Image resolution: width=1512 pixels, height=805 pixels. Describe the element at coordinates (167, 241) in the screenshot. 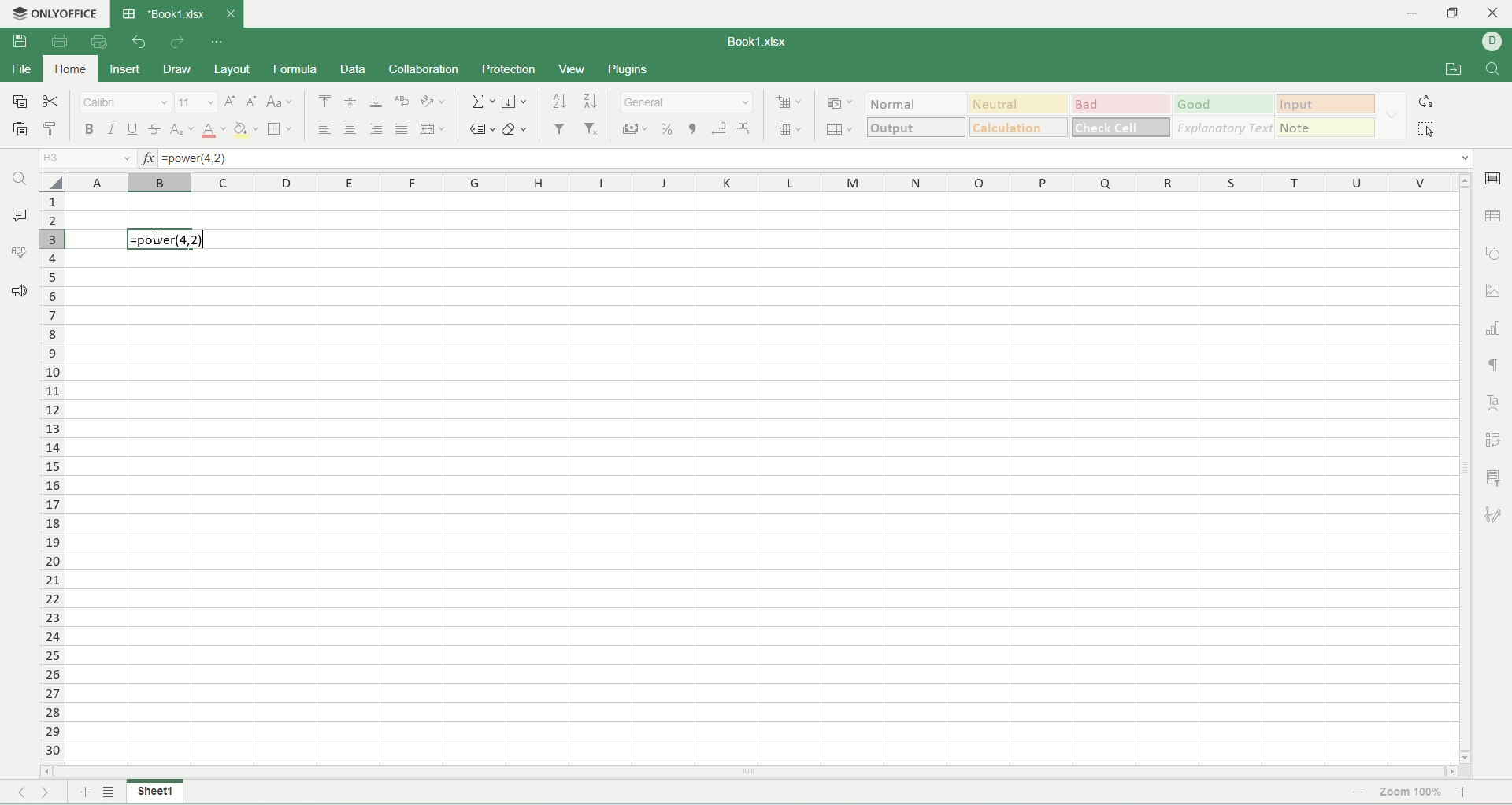

I see `input text` at that location.